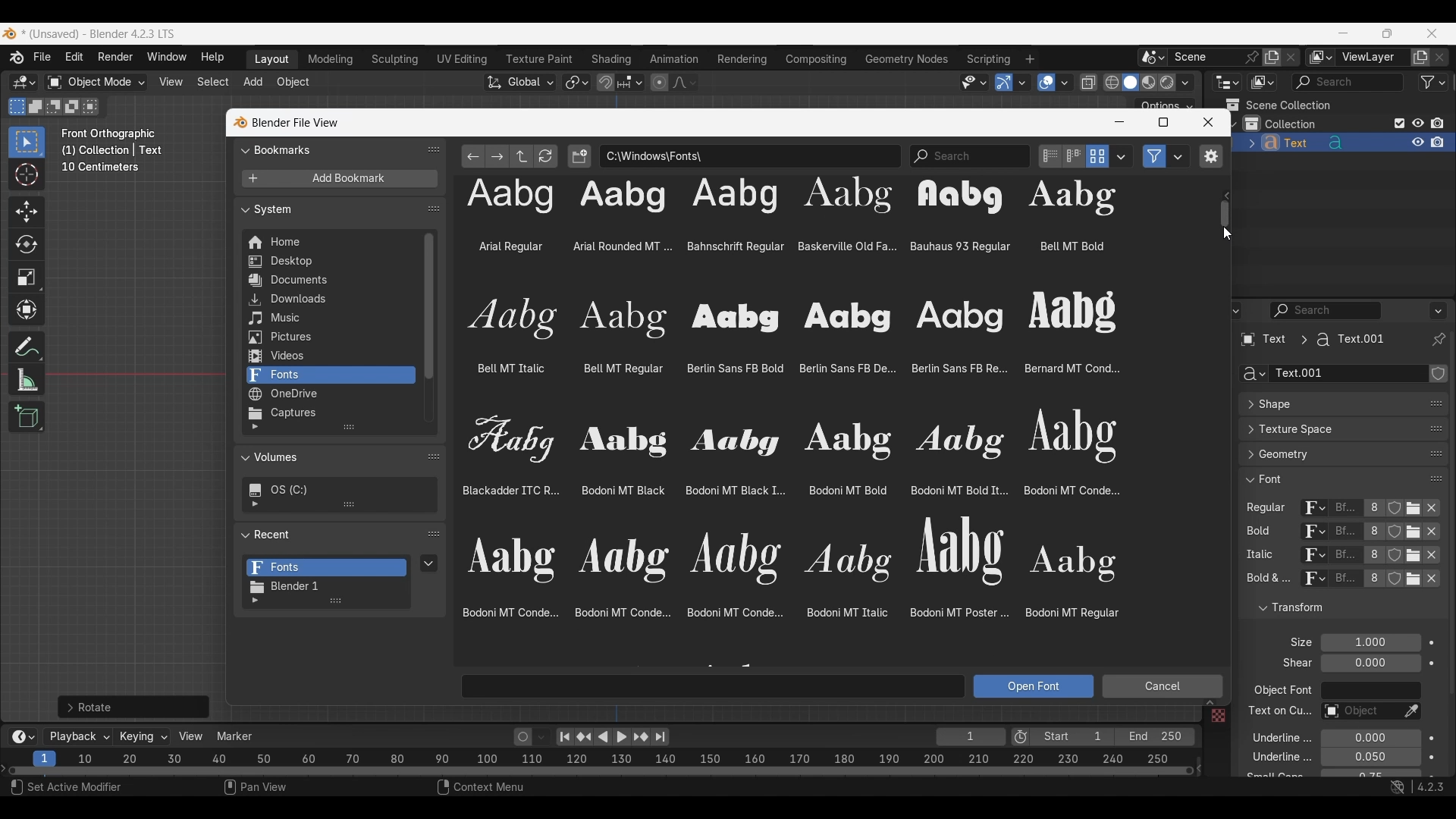  What do you see at coordinates (1112, 83) in the screenshot?
I see `Viewport shading, wireframe` at bounding box center [1112, 83].